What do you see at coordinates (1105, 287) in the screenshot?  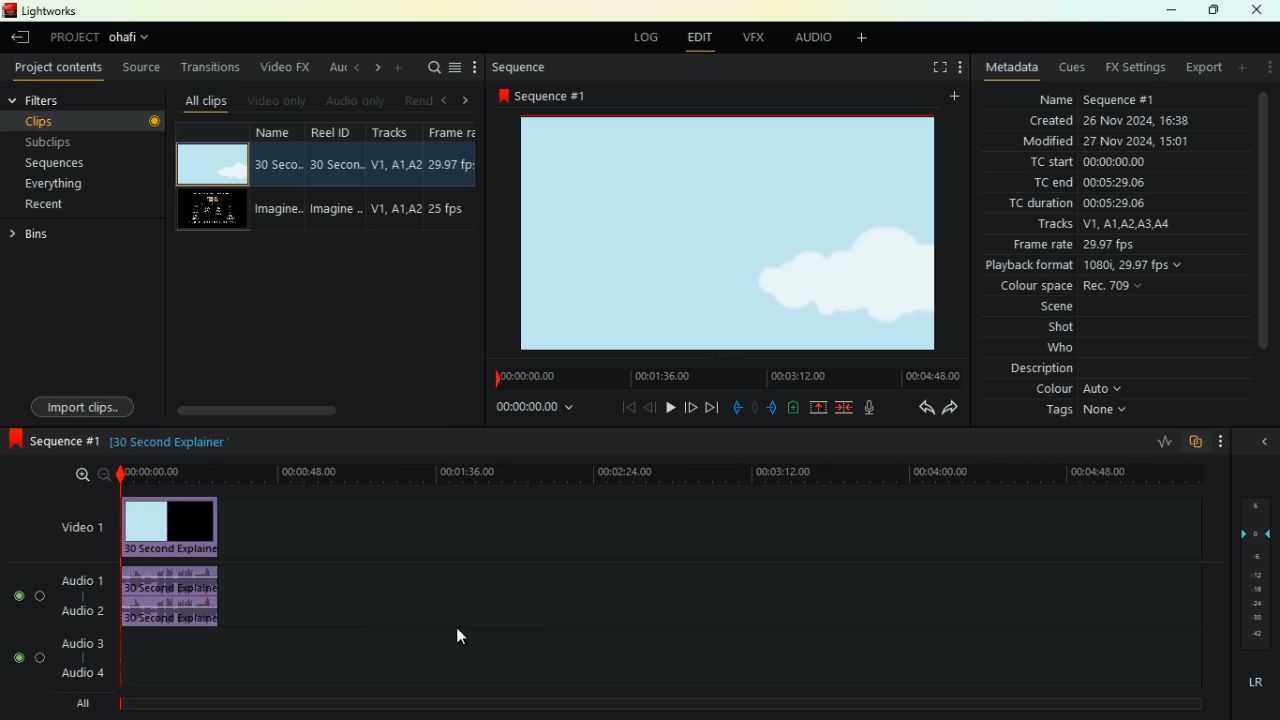 I see `colour space Rec 709` at bounding box center [1105, 287].